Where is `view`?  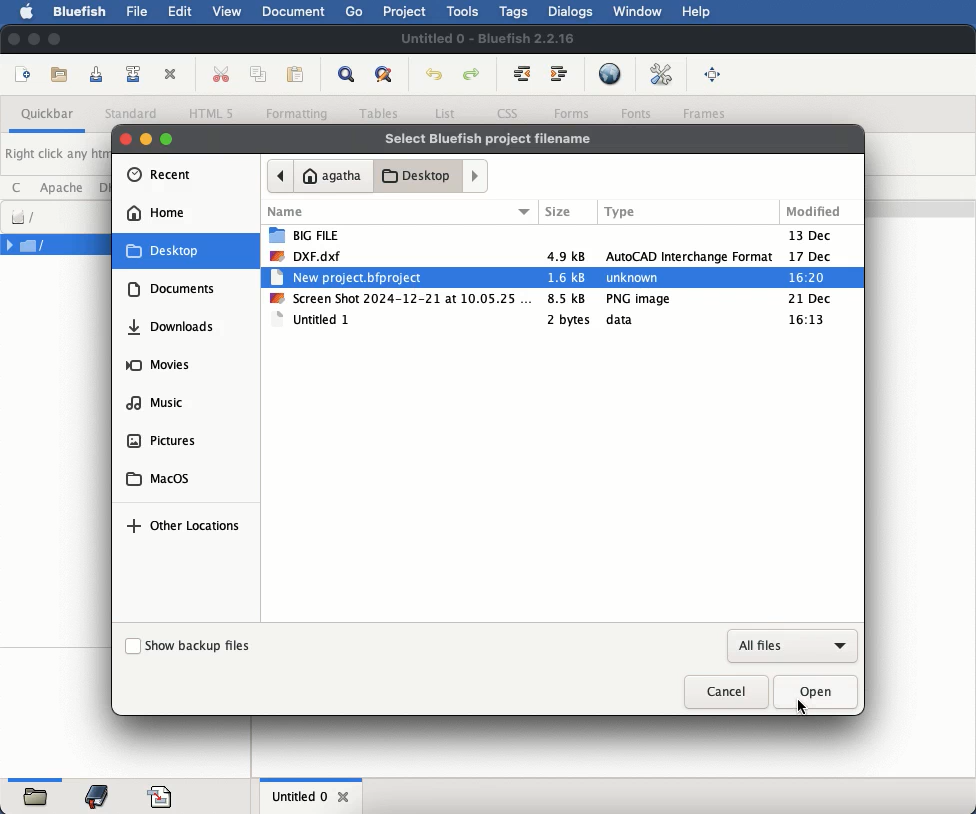
view is located at coordinates (226, 14).